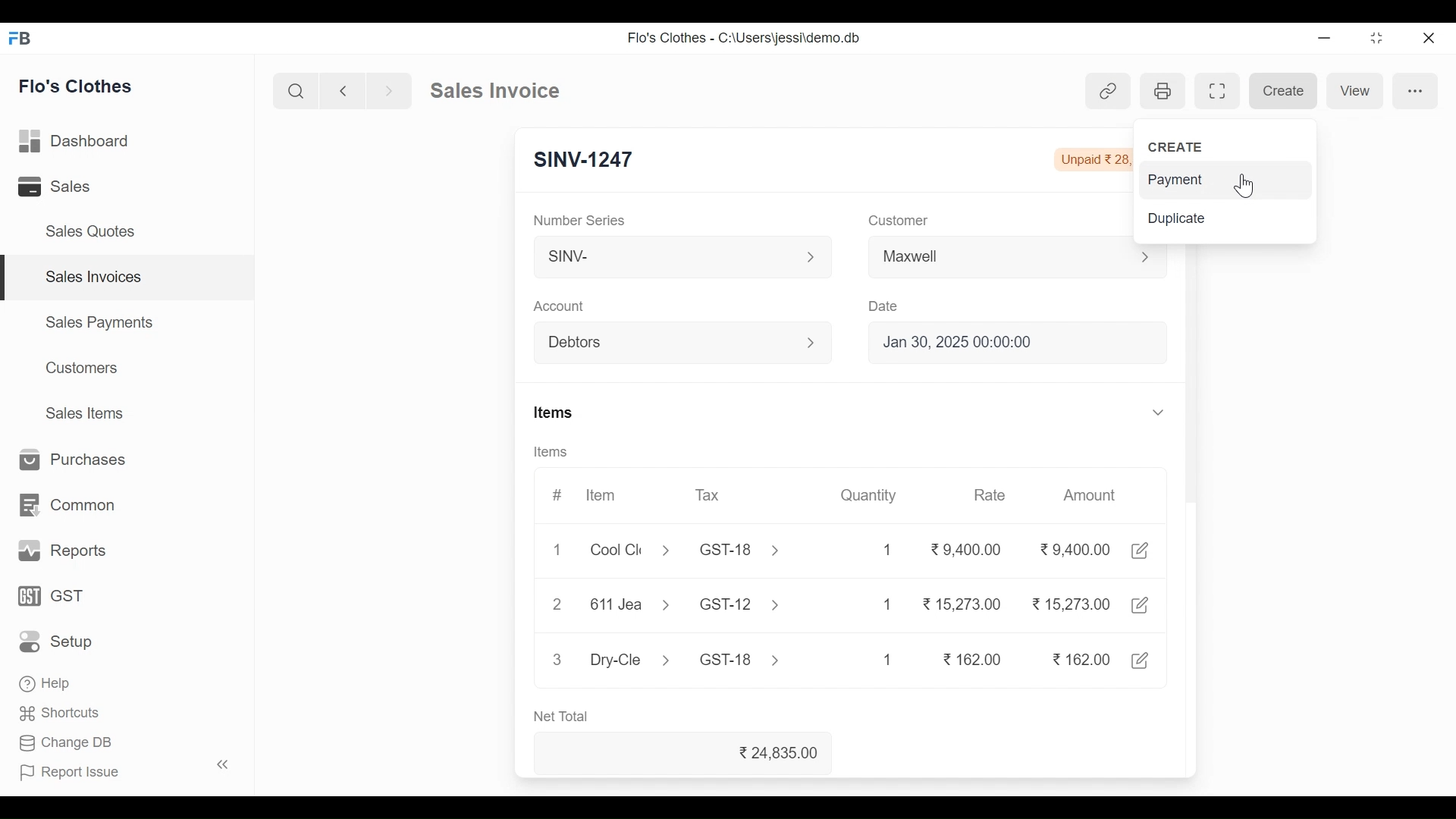 The width and height of the screenshot is (1456, 819). Describe the element at coordinates (1426, 39) in the screenshot. I see `Close` at that location.